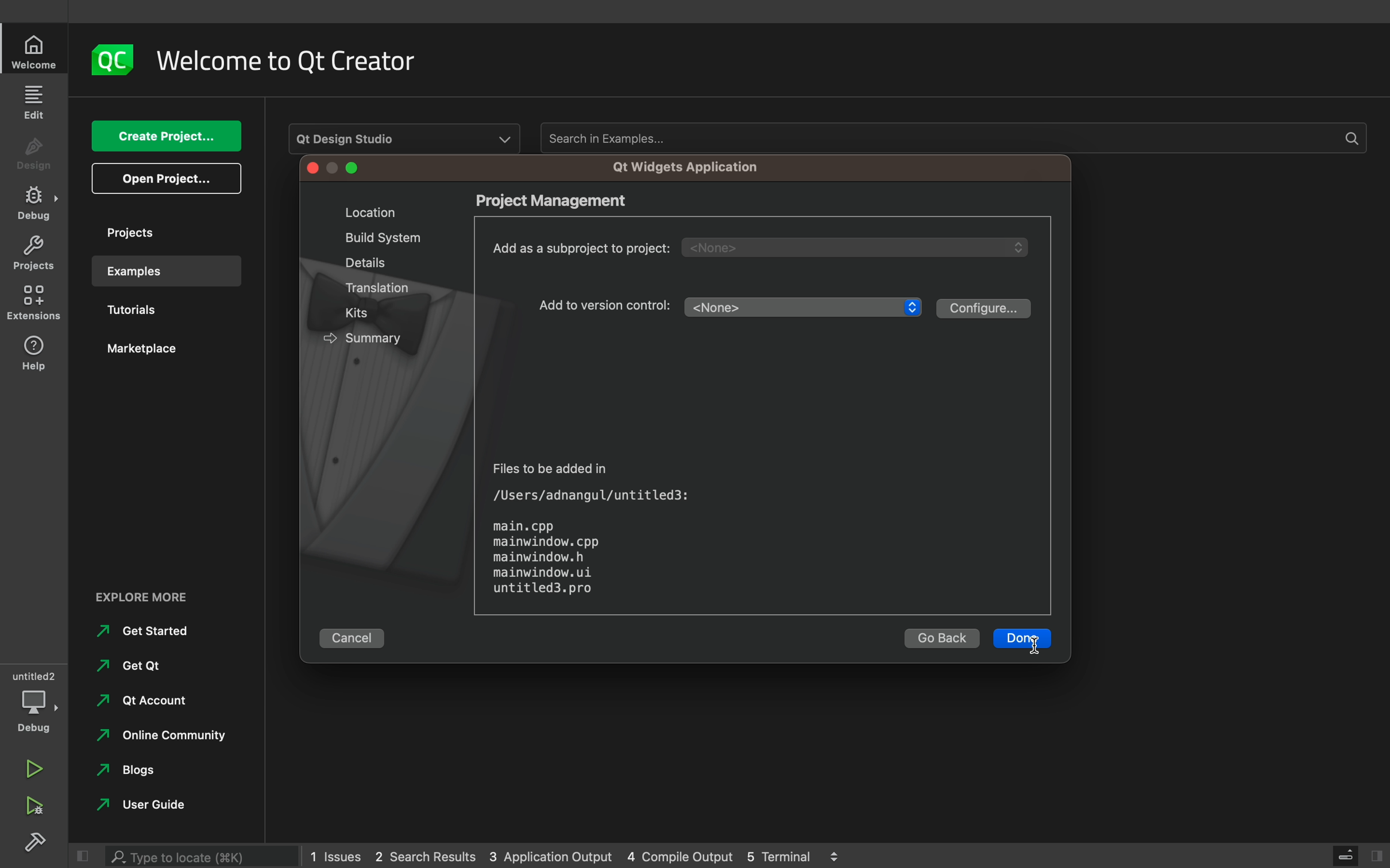 Image resolution: width=1390 pixels, height=868 pixels. Describe the element at coordinates (951, 138) in the screenshot. I see `Search in examples` at that location.